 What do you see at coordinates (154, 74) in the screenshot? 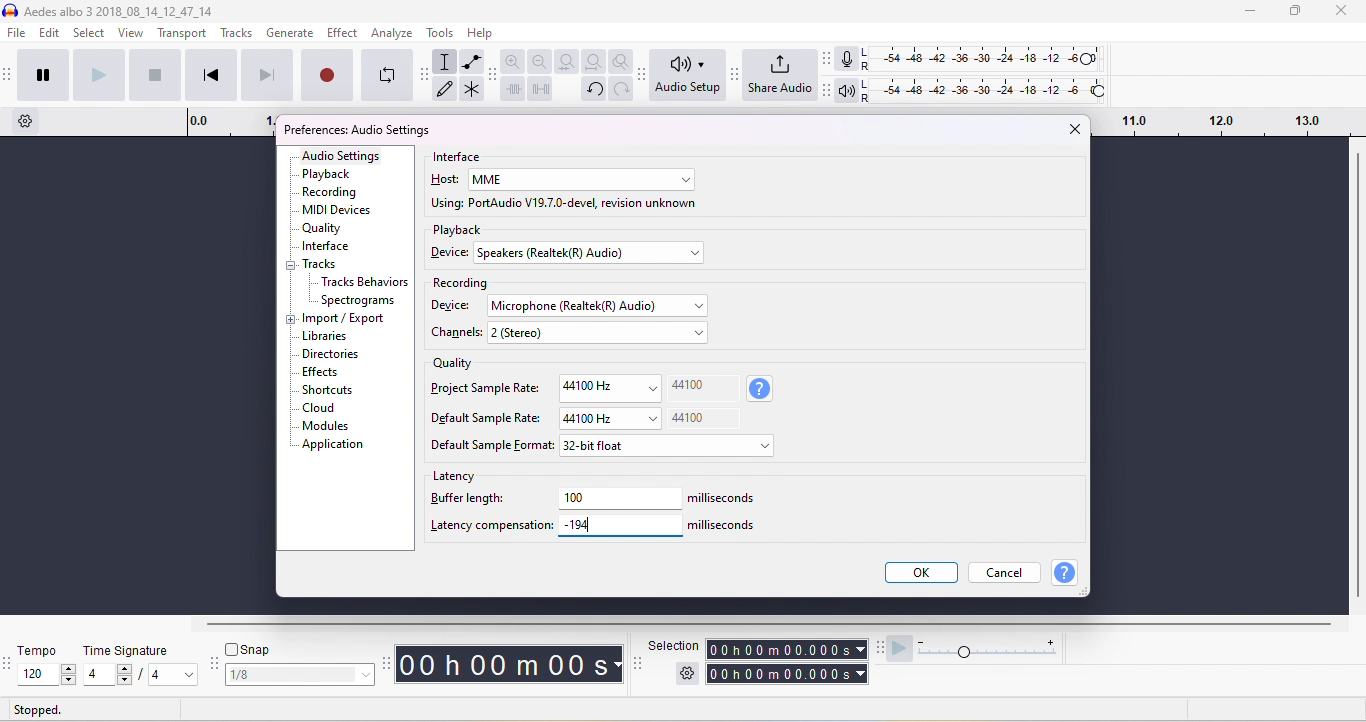
I see `stop` at bounding box center [154, 74].